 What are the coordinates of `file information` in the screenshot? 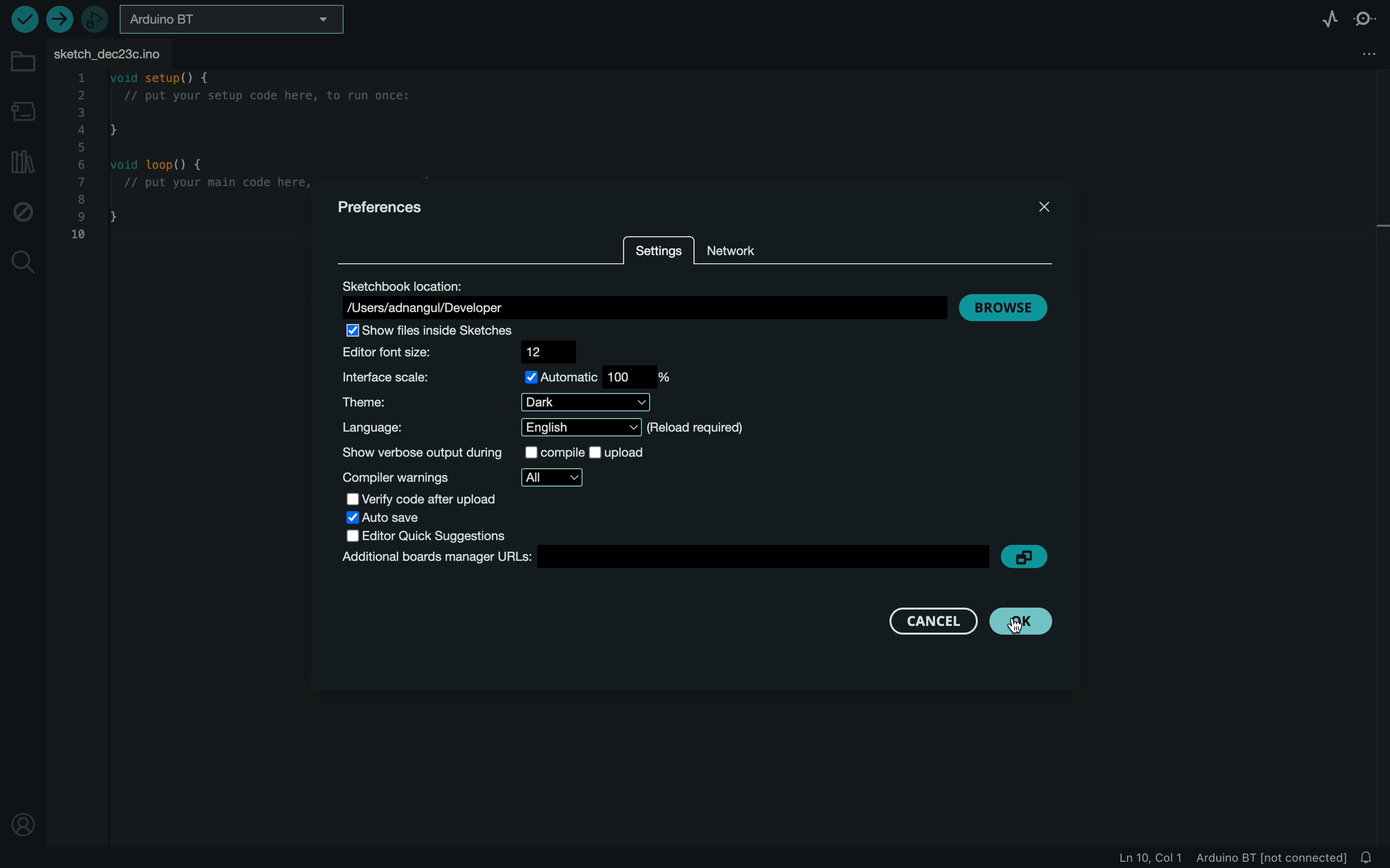 It's located at (1230, 857).